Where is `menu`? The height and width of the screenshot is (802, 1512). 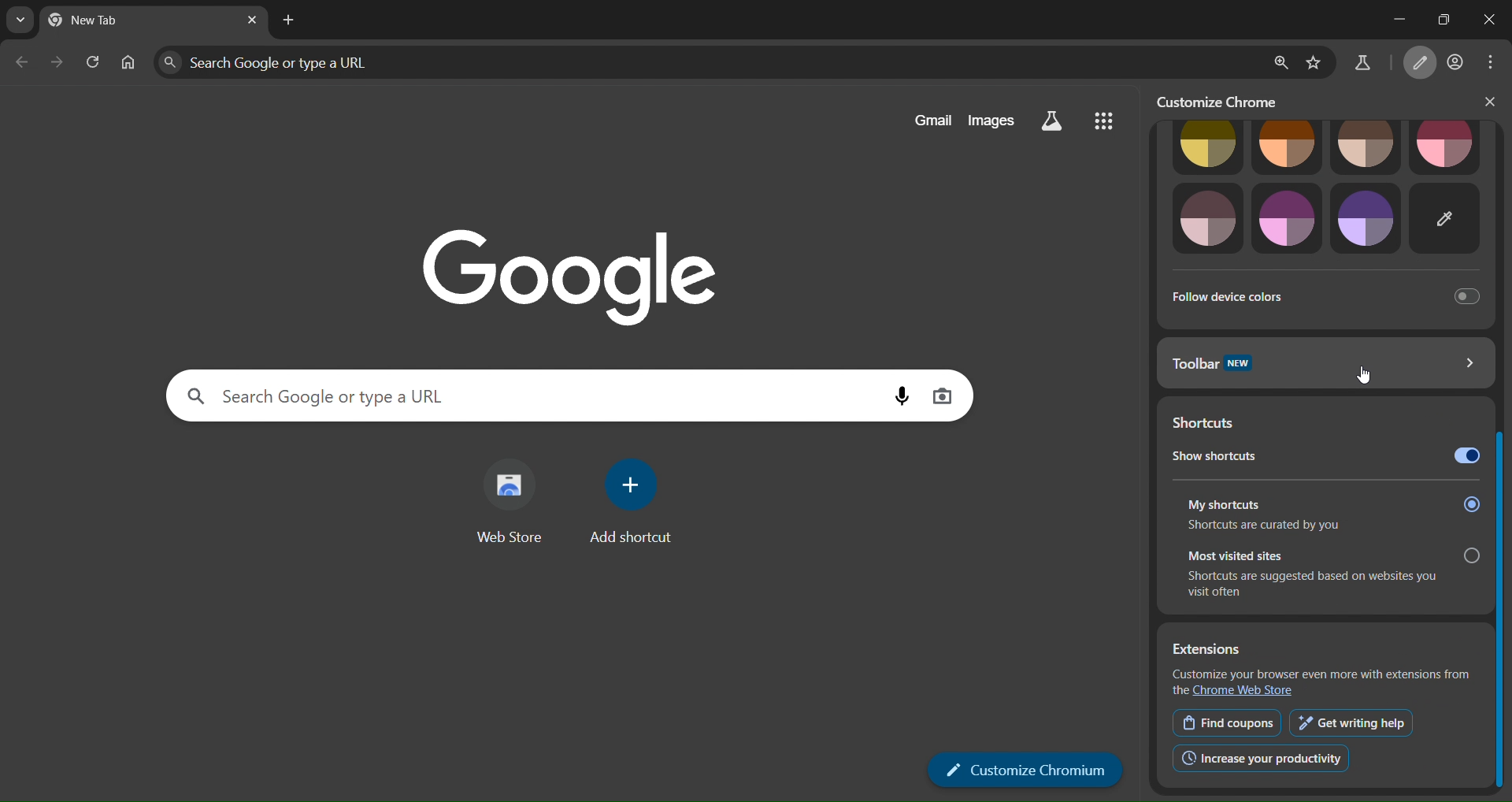 menu is located at coordinates (1489, 65).